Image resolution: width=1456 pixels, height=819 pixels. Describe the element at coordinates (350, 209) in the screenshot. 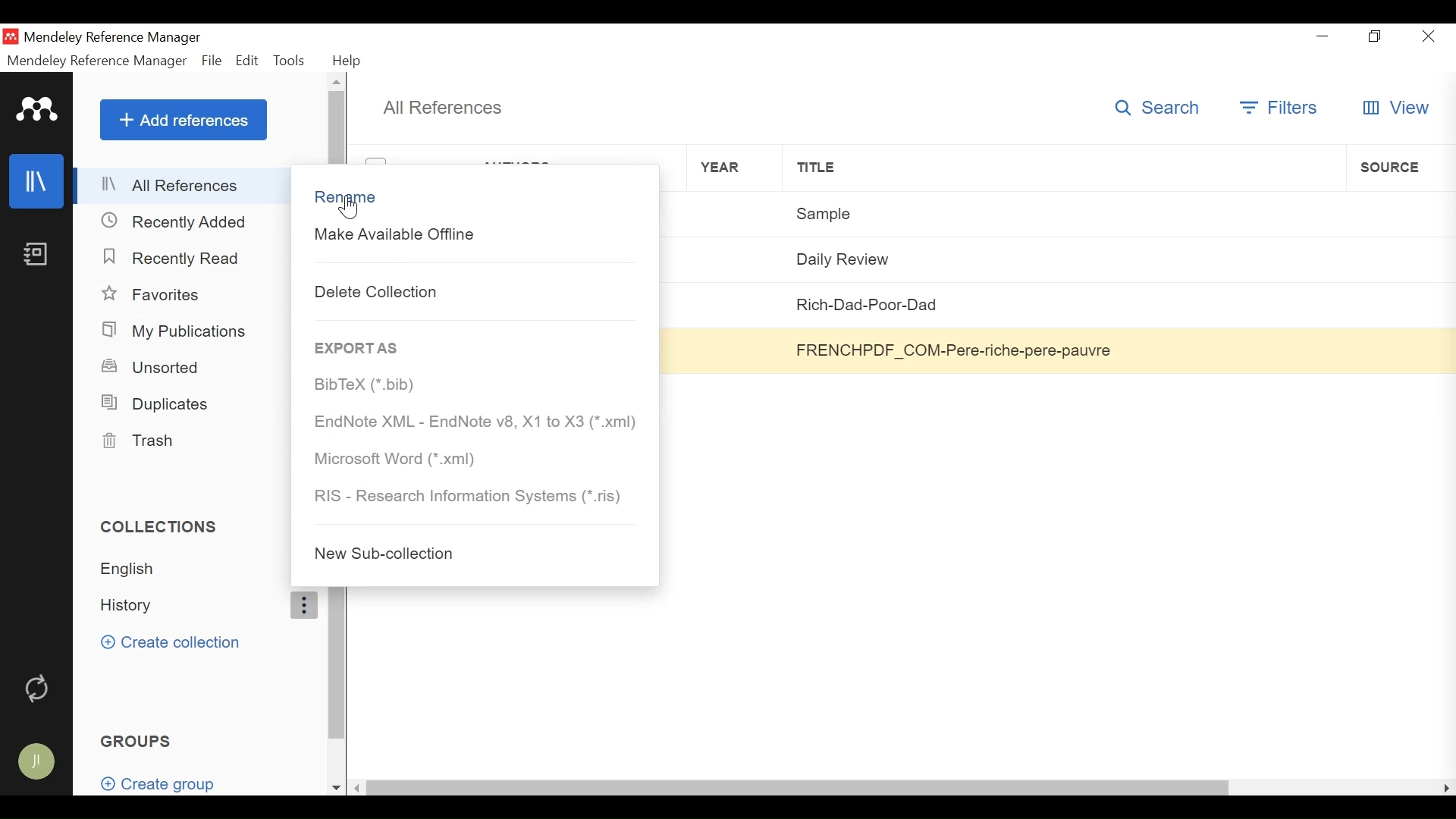

I see `Cursor` at that location.